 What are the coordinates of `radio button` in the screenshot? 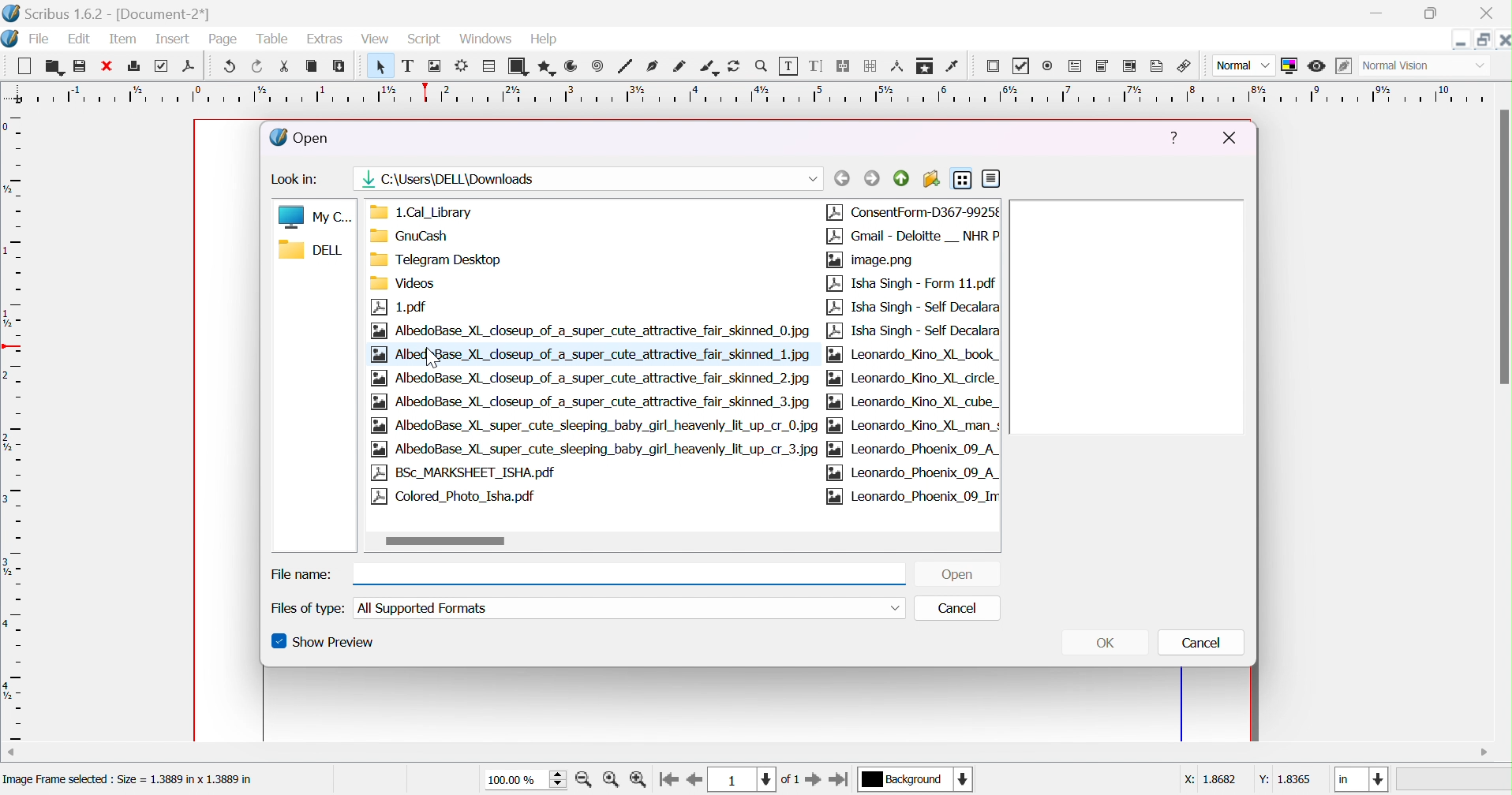 It's located at (1049, 66).